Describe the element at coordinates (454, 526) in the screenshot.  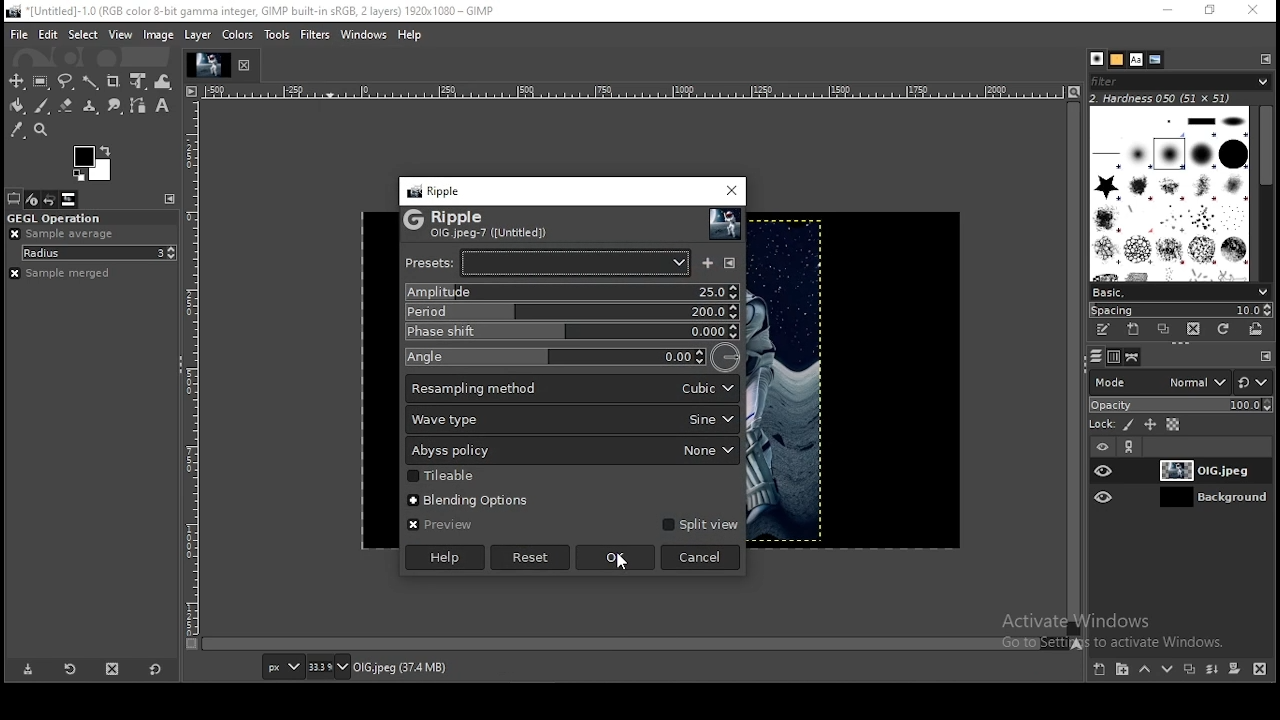
I see `preview` at that location.